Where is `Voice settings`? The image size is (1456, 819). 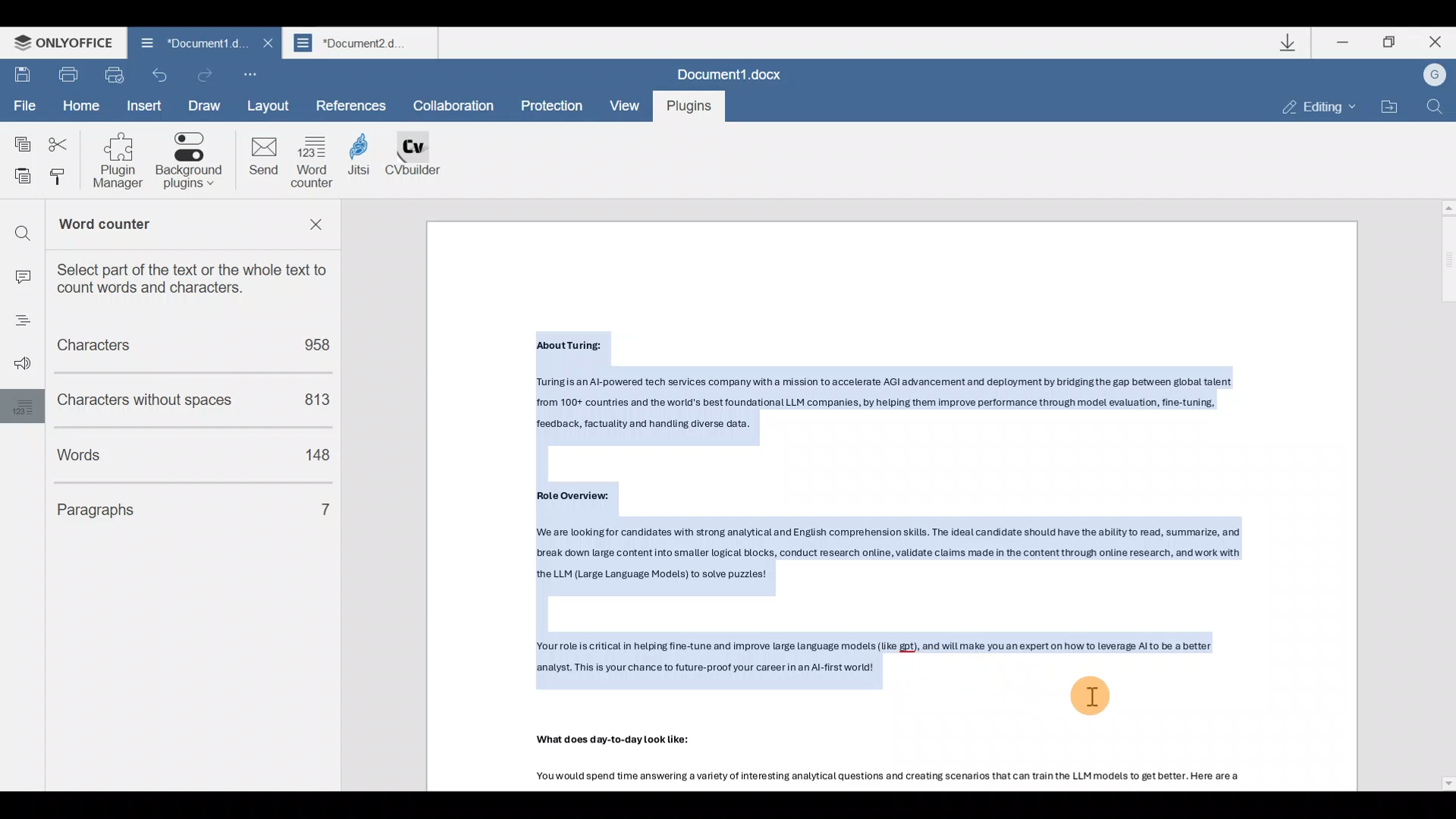 Voice settings is located at coordinates (18, 365).